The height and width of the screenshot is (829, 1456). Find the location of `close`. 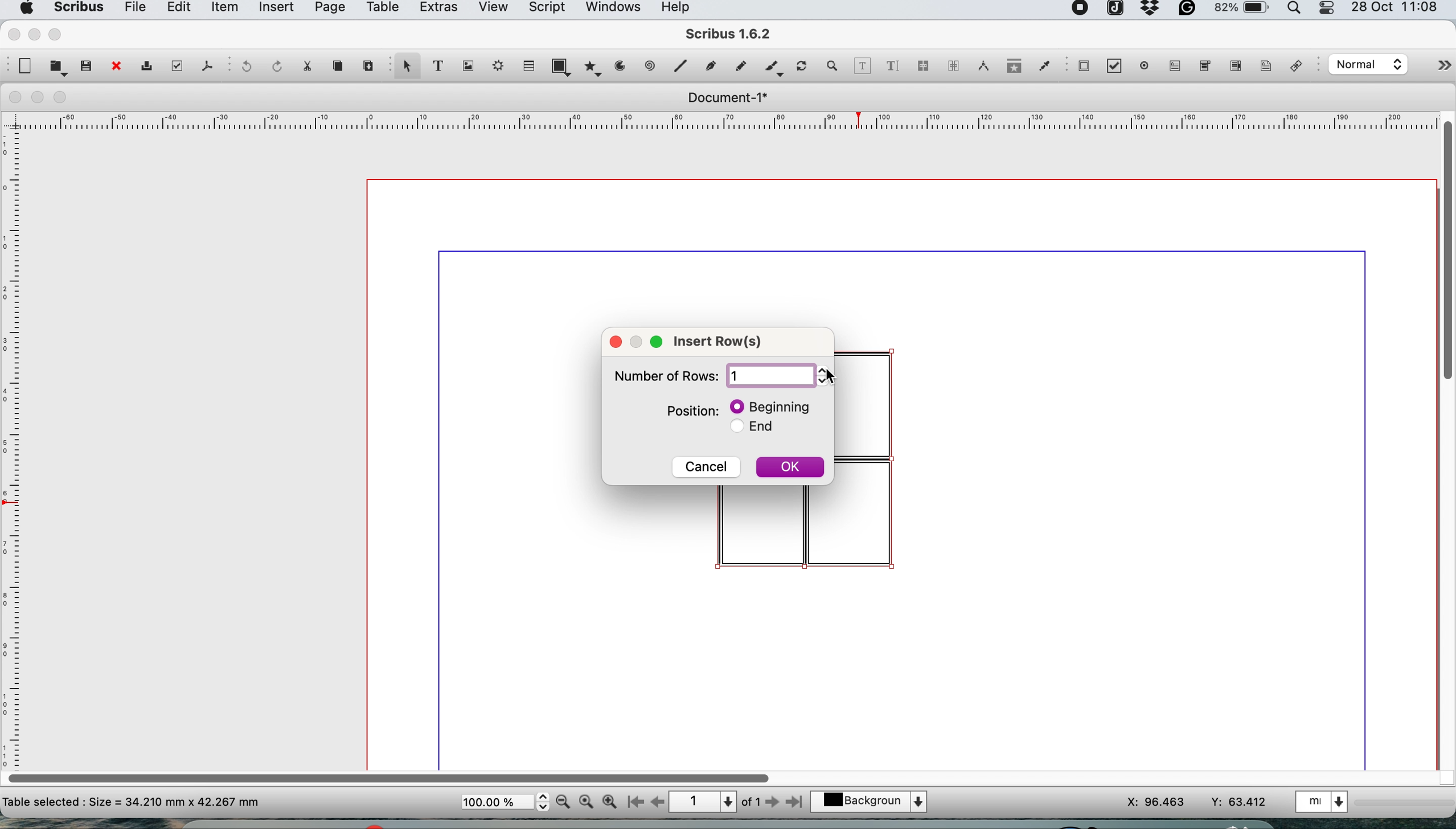

close is located at coordinates (115, 67).